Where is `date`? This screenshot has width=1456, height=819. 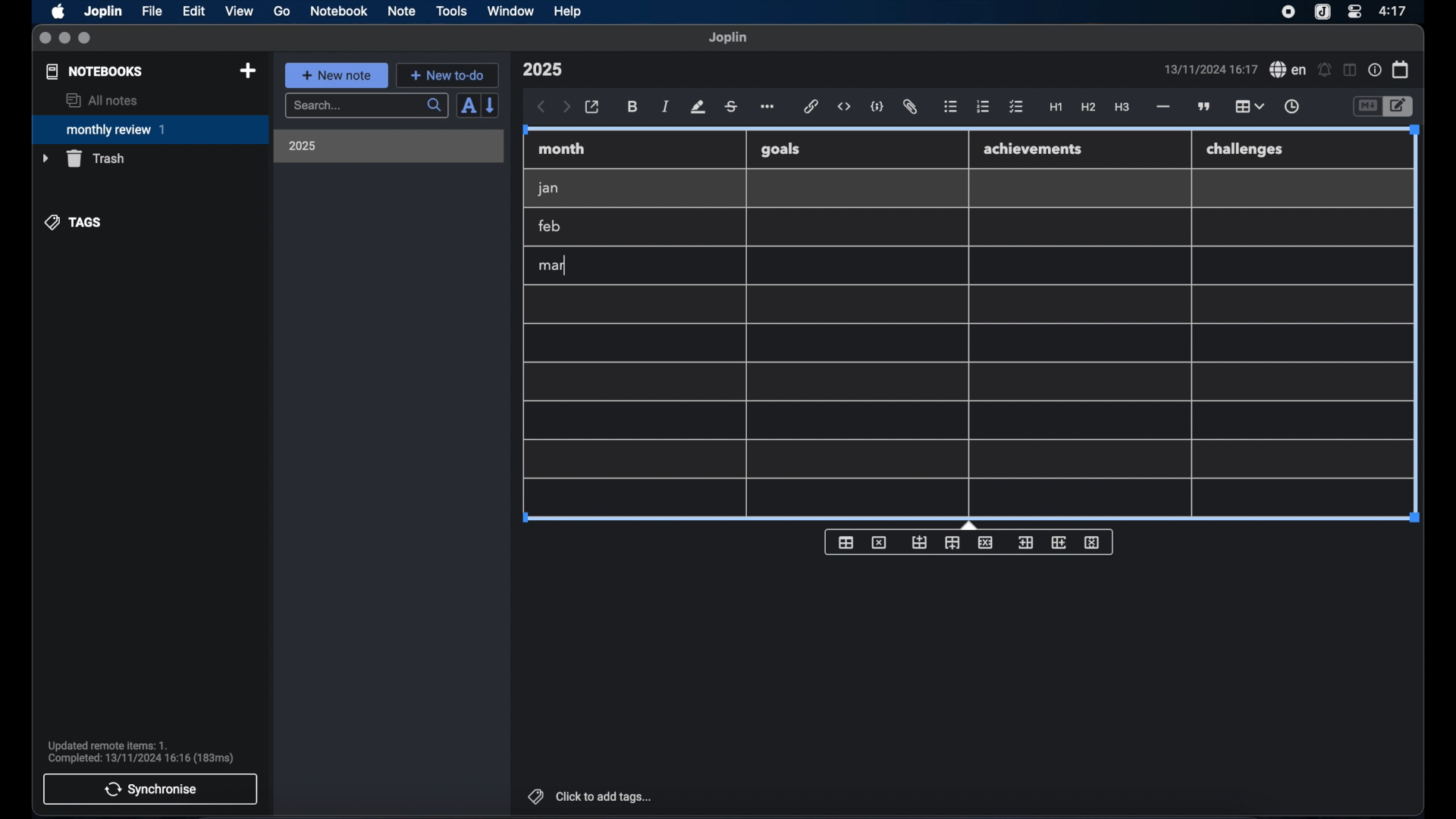 date is located at coordinates (1210, 69).